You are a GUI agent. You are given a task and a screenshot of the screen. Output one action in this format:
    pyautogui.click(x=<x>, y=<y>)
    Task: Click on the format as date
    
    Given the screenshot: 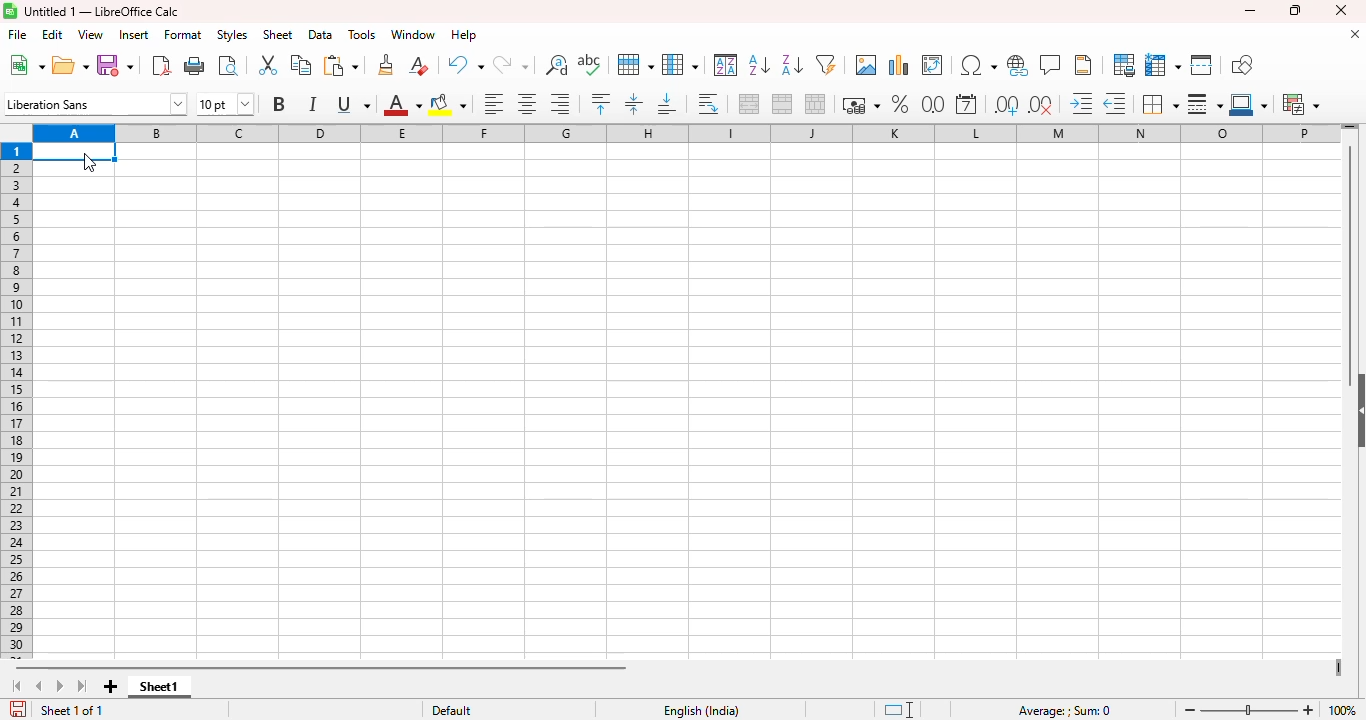 What is the action you would take?
    pyautogui.click(x=966, y=104)
    